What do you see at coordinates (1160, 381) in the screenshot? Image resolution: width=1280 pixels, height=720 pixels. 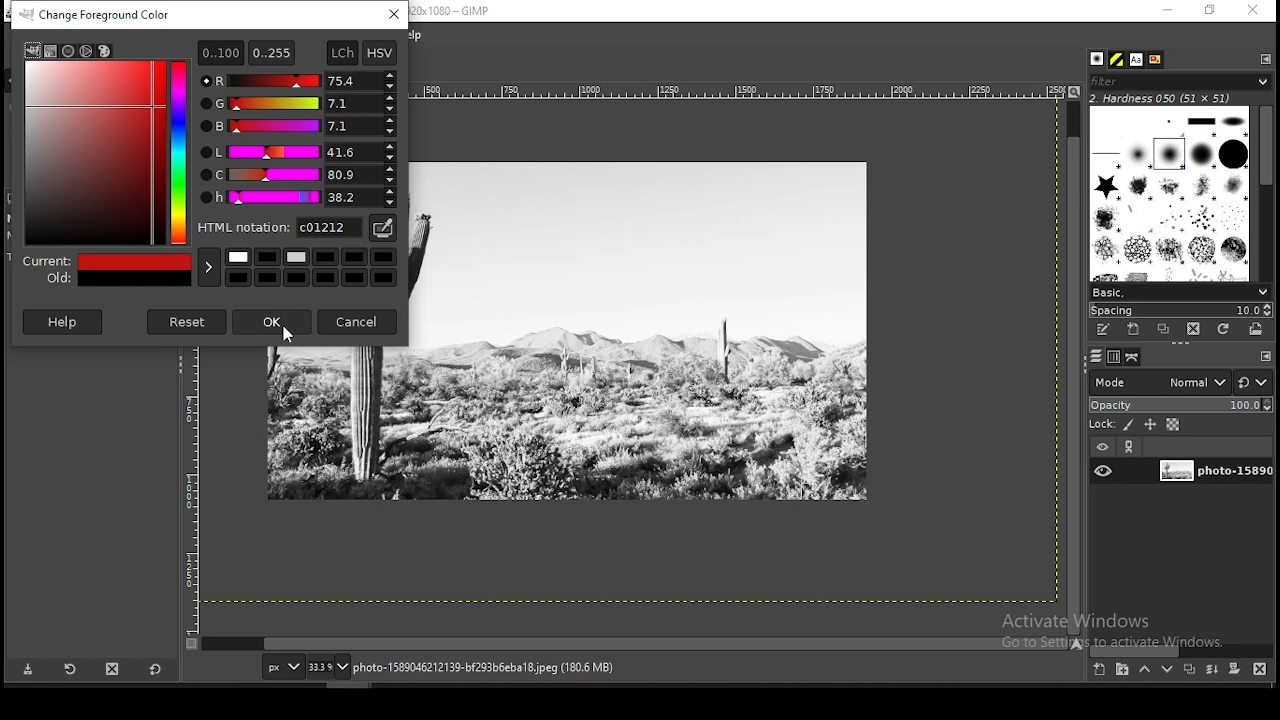 I see `mode` at bounding box center [1160, 381].